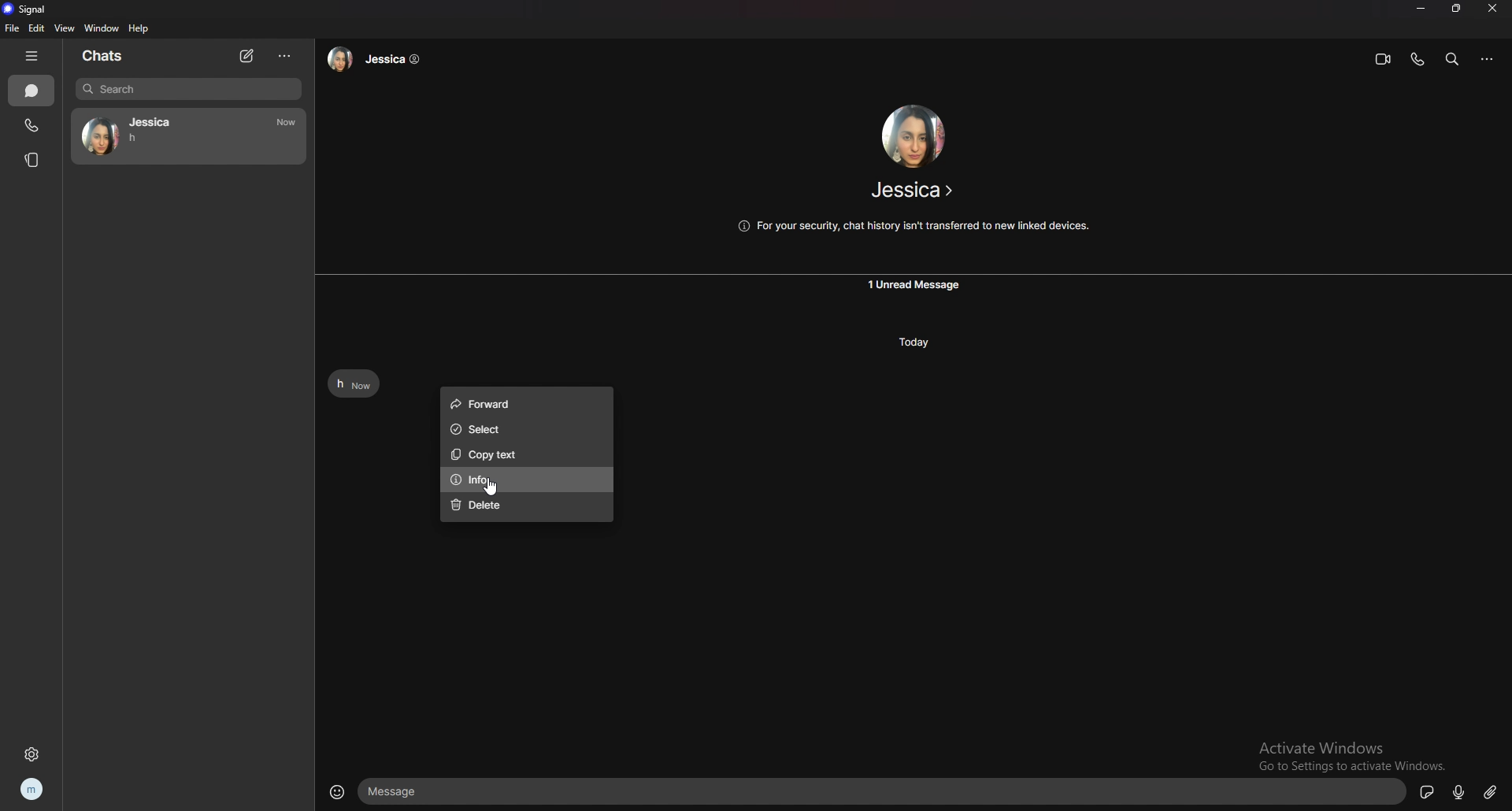  Describe the element at coordinates (1421, 8) in the screenshot. I see `minimize` at that location.